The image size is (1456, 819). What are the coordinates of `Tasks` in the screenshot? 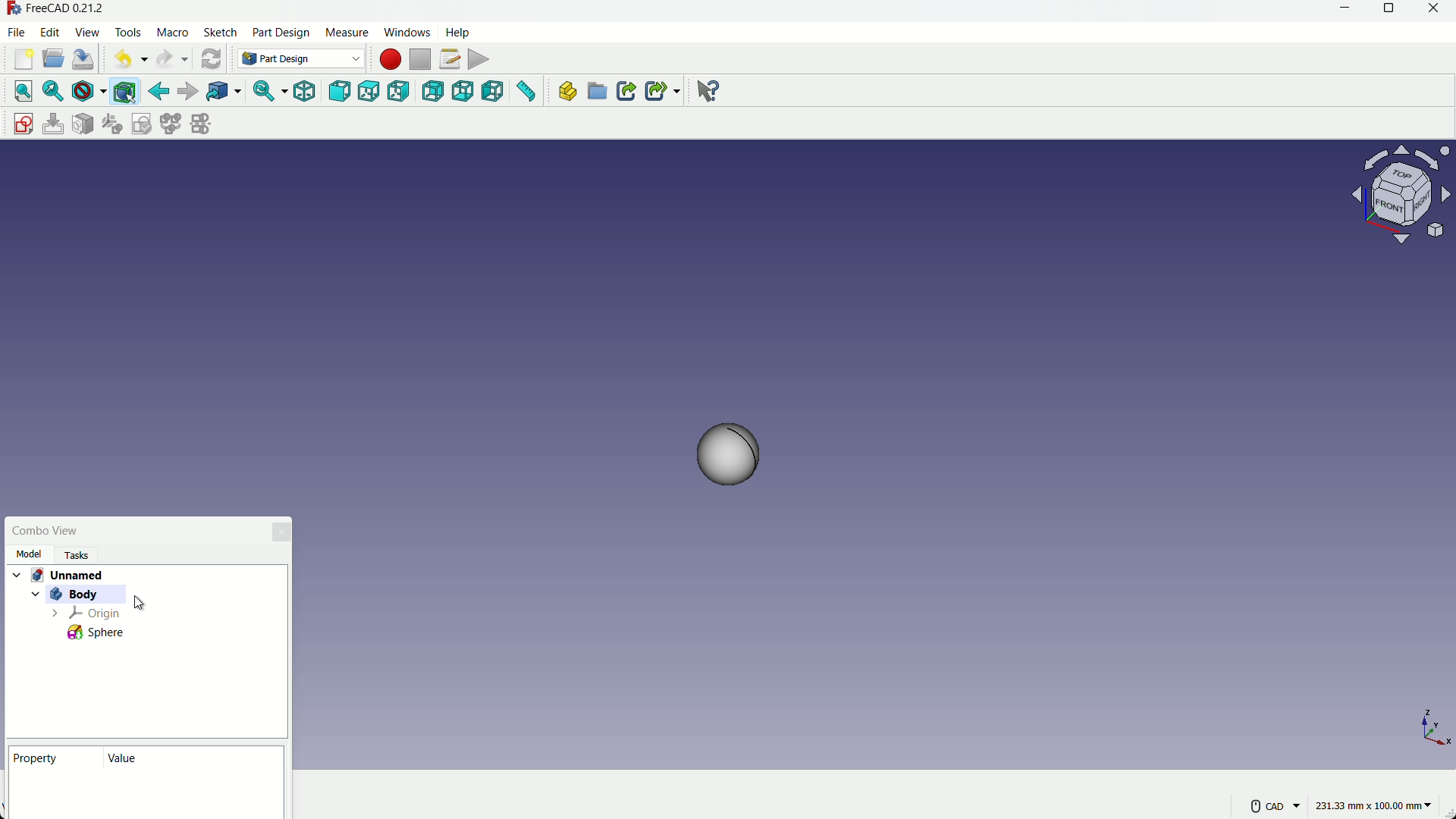 It's located at (83, 555).